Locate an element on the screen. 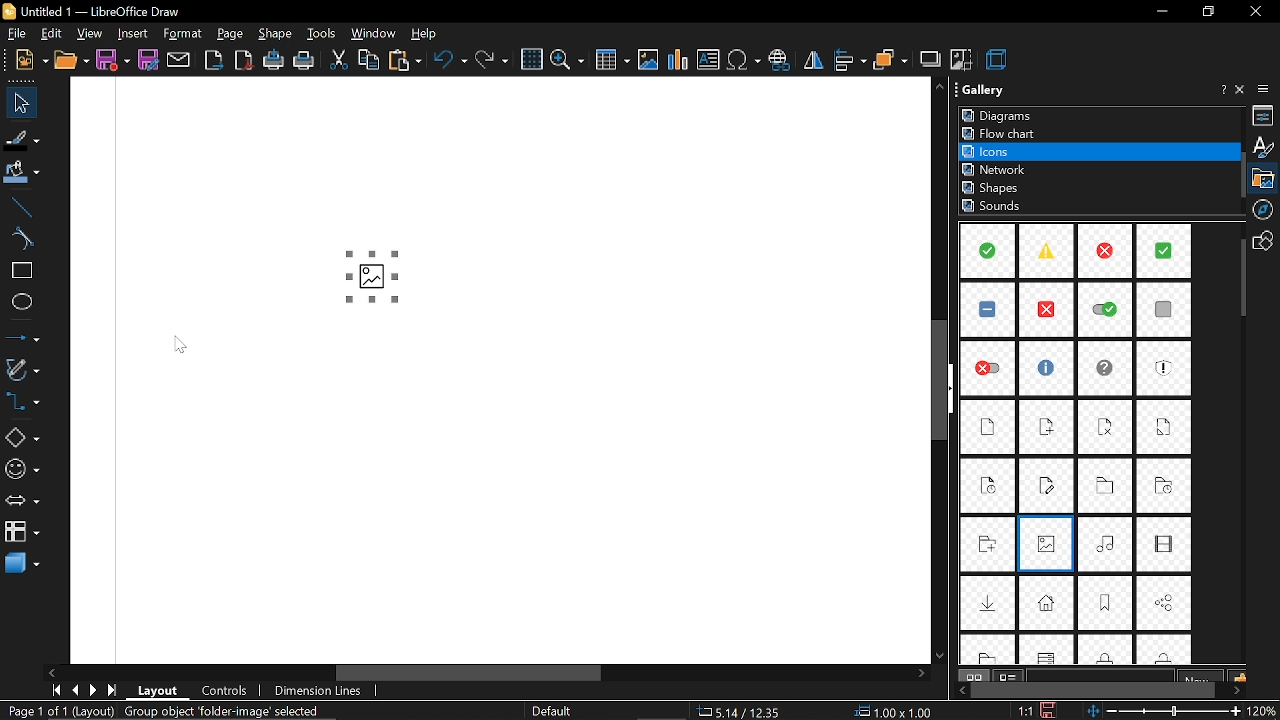 This screenshot has height=720, width=1280. 1:1 is located at coordinates (1025, 710).